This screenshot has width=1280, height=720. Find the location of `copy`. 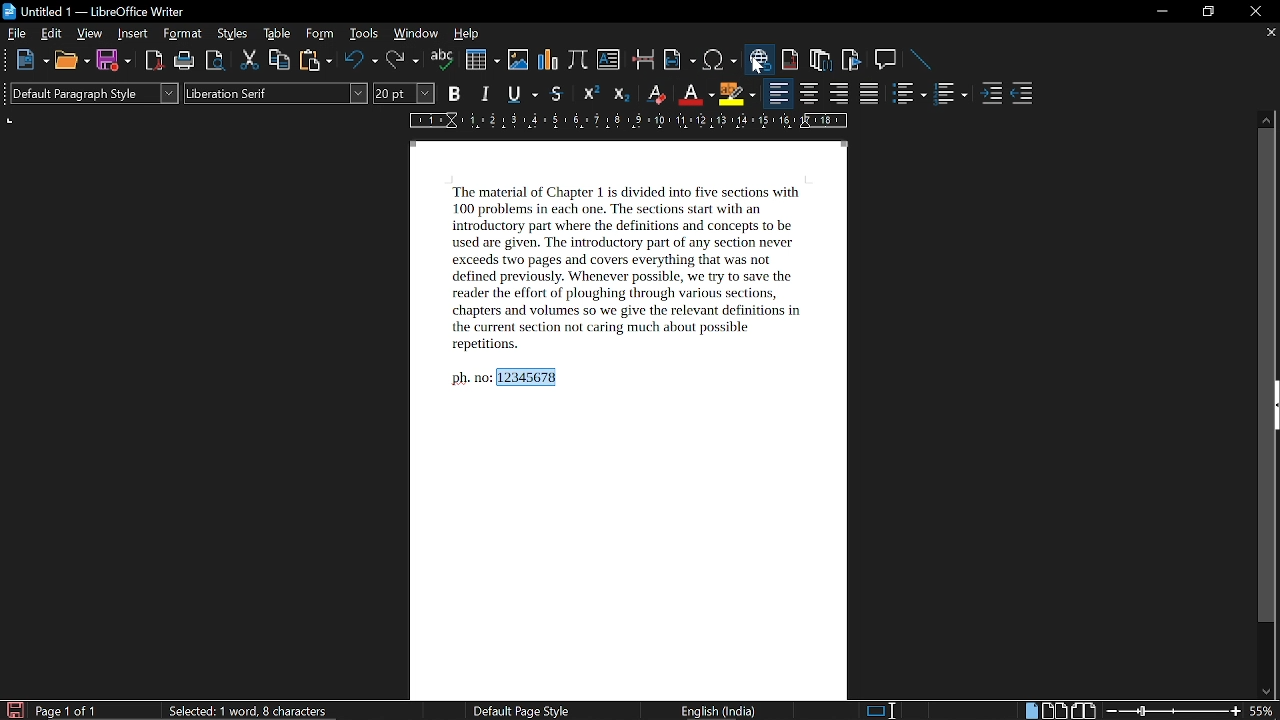

copy is located at coordinates (280, 61).